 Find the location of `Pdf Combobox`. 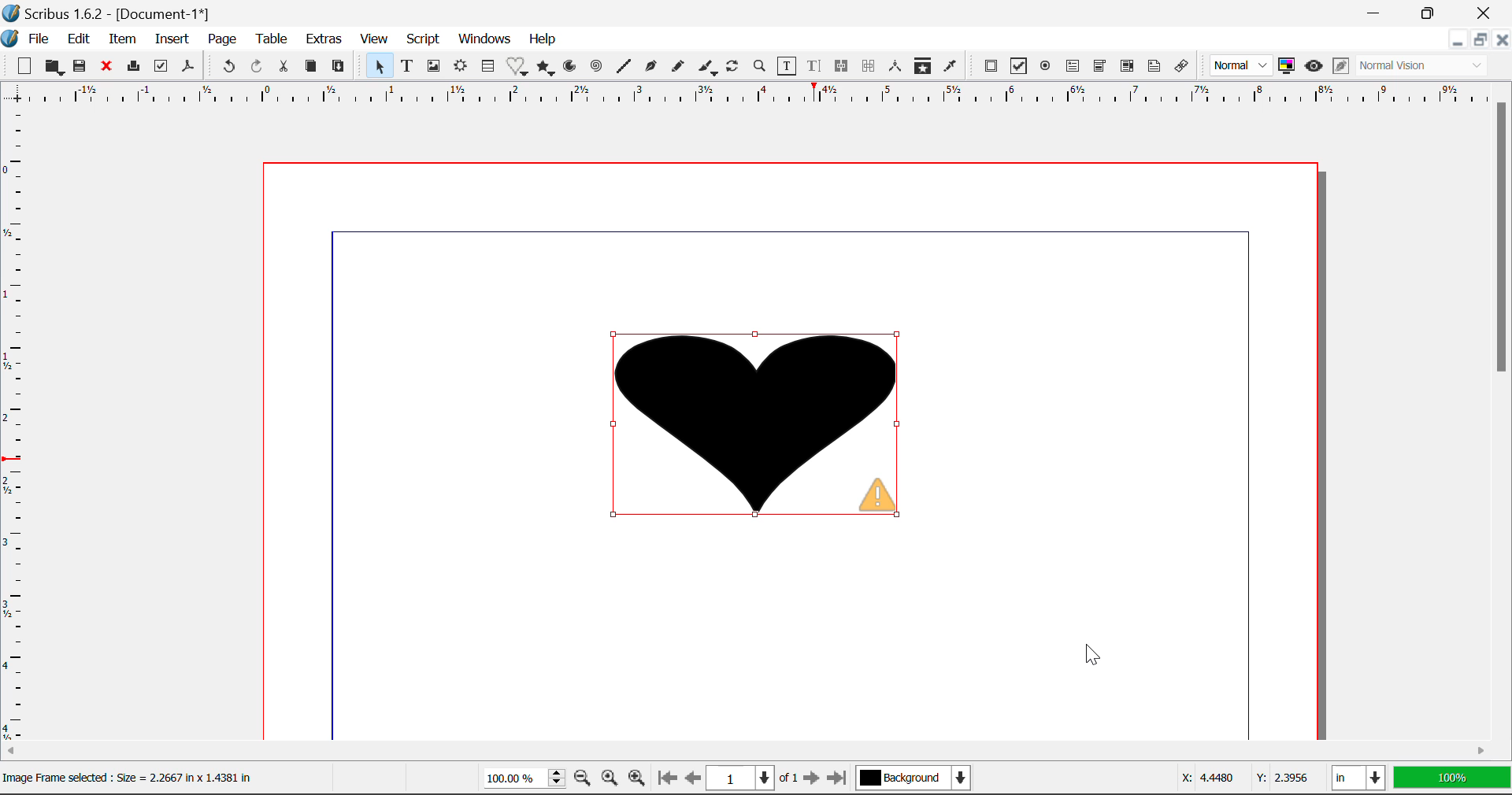

Pdf Combobox is located at coordinates (1101, 68).